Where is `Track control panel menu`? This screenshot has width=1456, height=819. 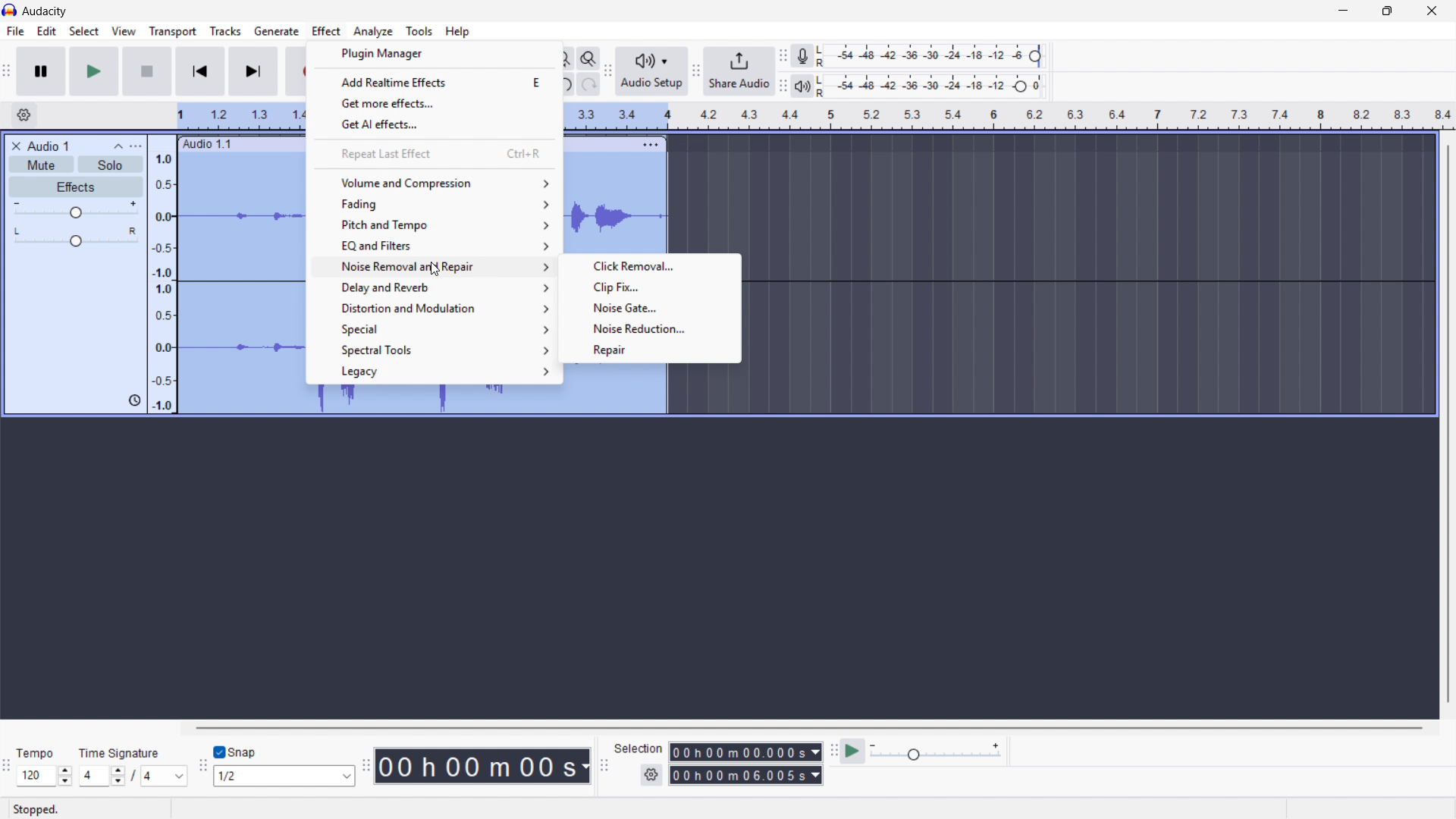
Track control panel menu is located at coordinates (136, 146).